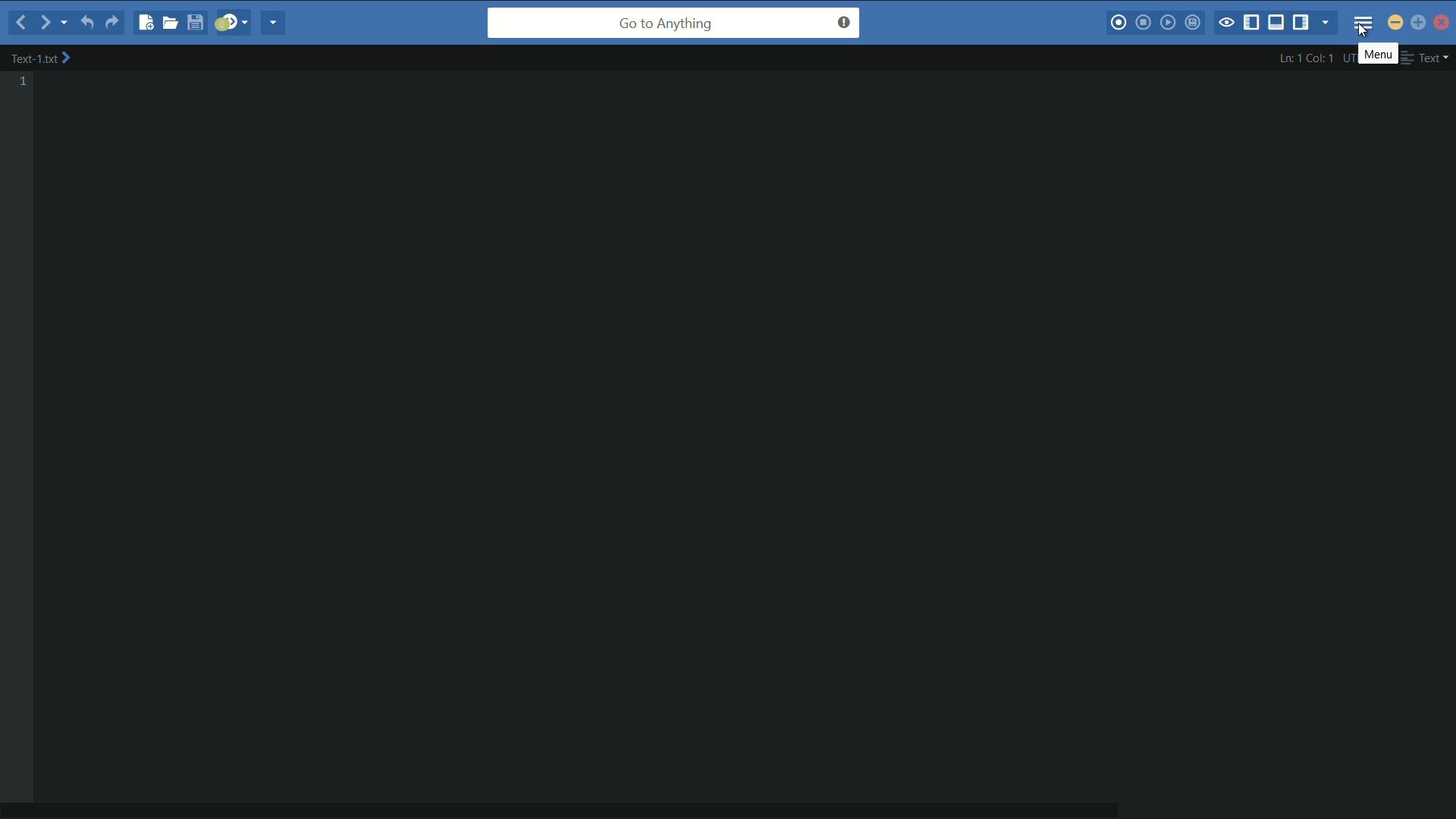  Describe the element at coordinates (145, 22) in the screenshot. I see `new file` at that location.